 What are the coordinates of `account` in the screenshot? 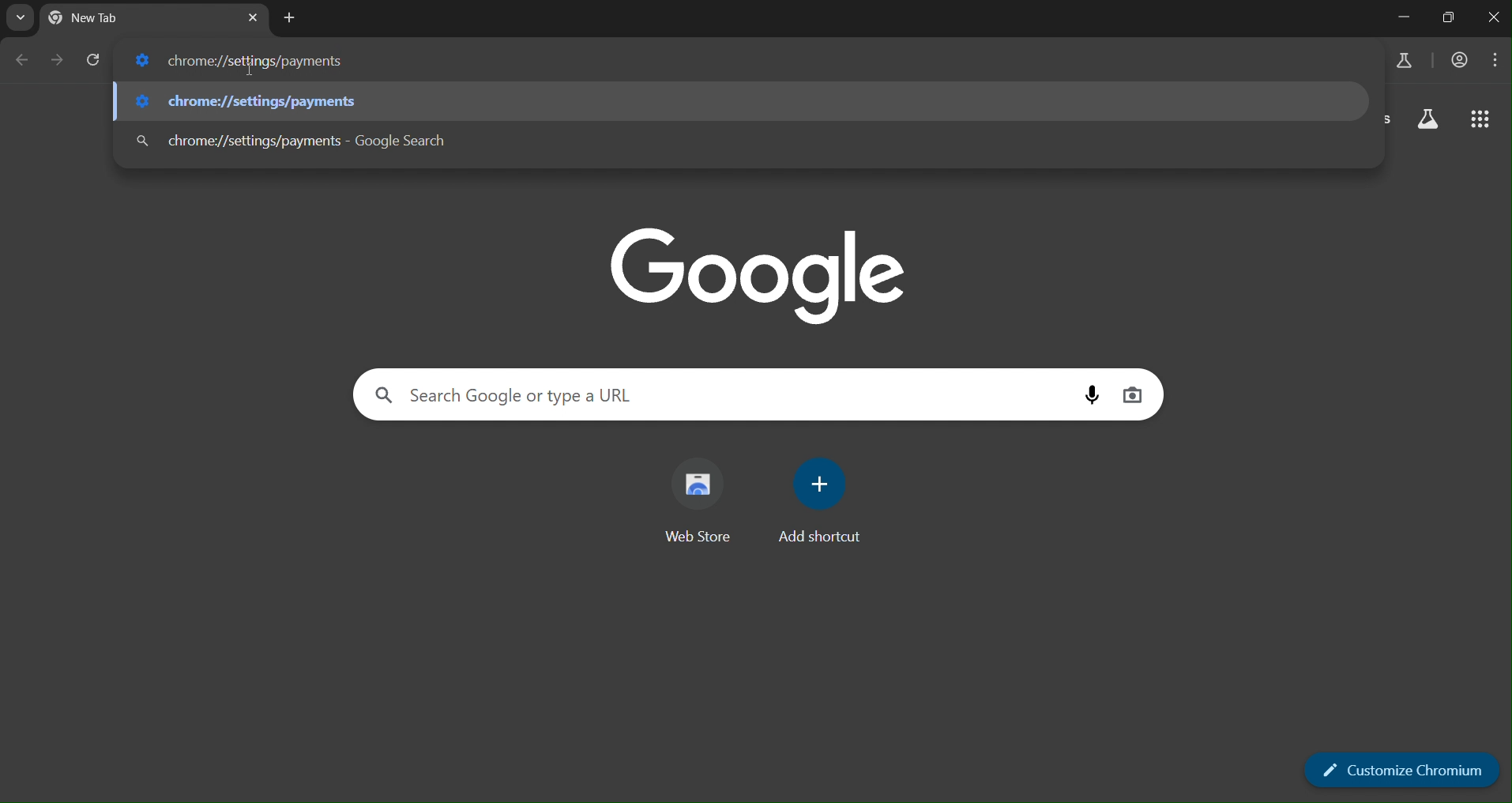 It's located at (1461, 62).